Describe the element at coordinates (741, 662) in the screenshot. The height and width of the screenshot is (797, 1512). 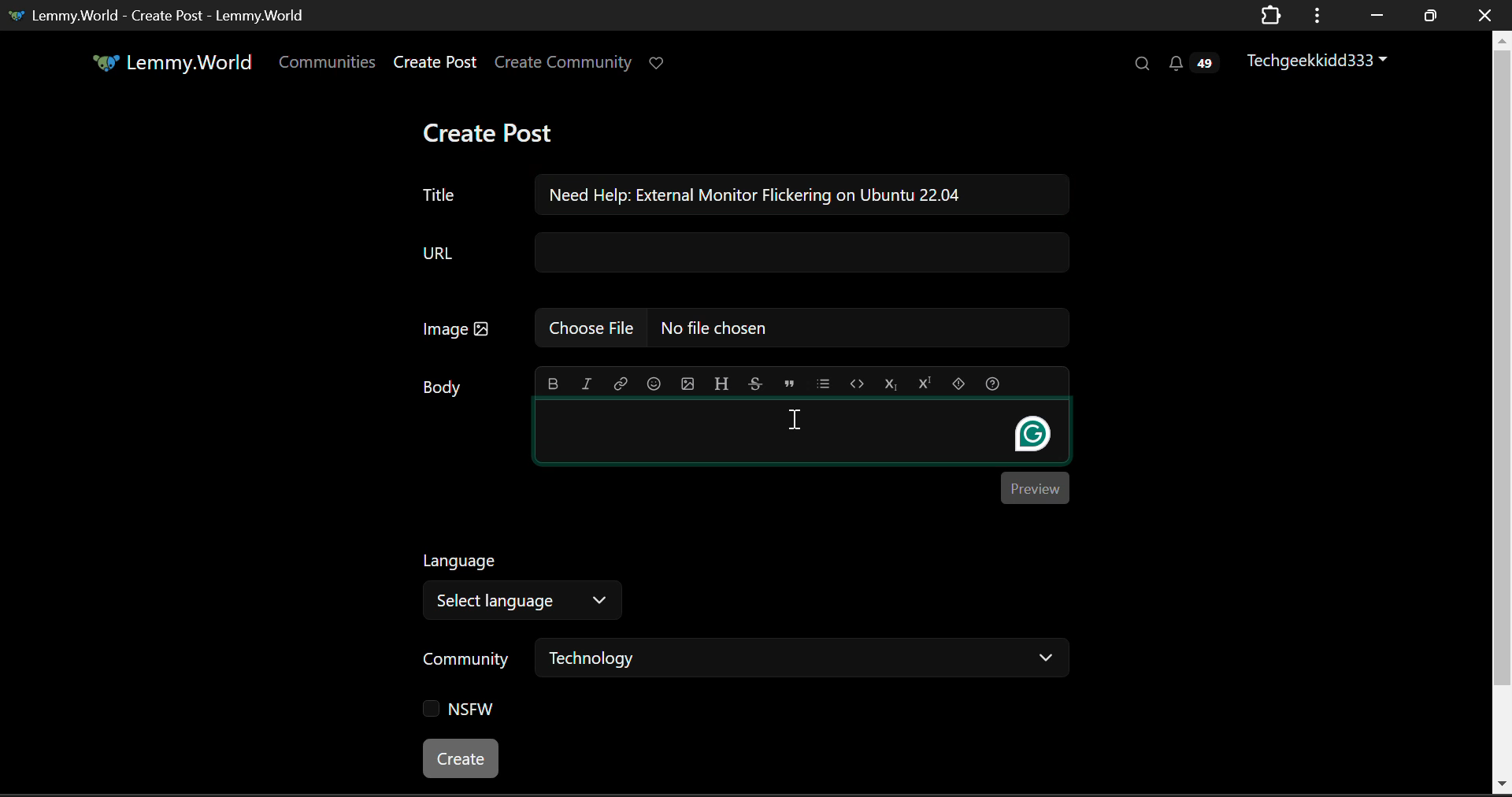
I see `Community: Technology` at that location.